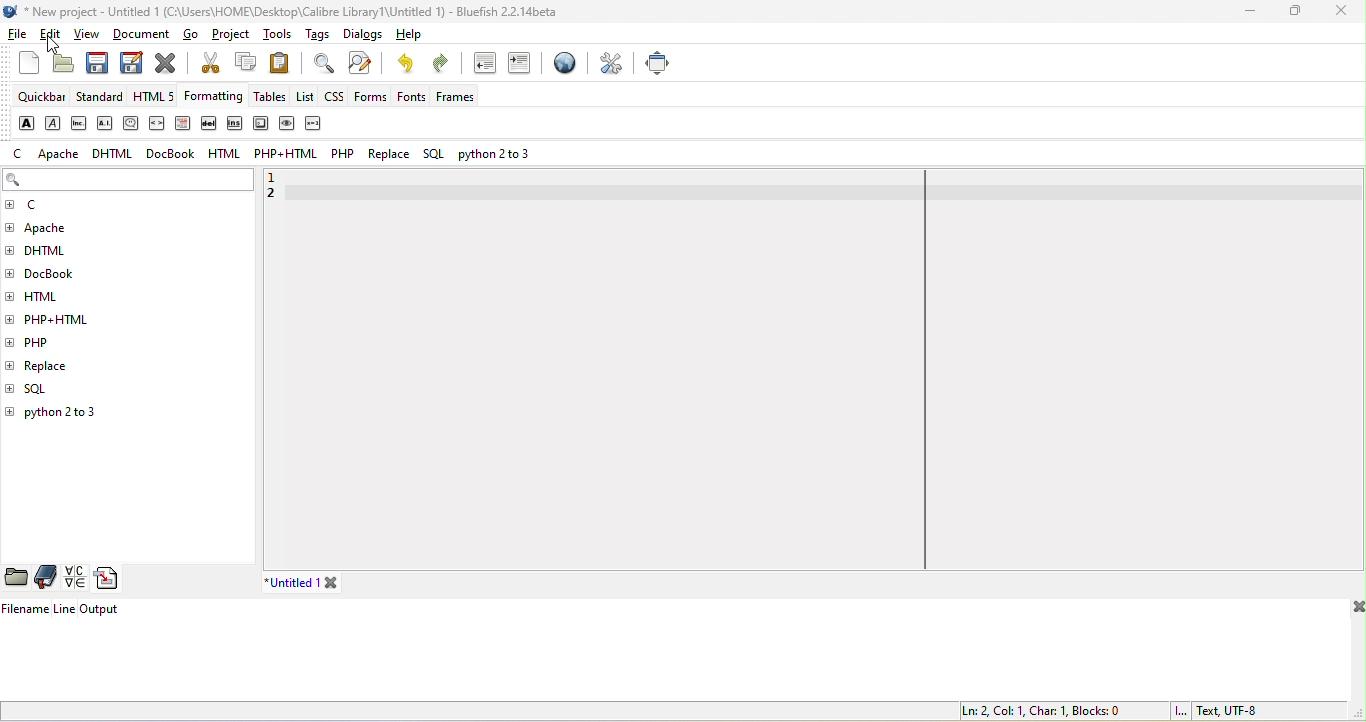  I want to click on tags, so click(317, 33).